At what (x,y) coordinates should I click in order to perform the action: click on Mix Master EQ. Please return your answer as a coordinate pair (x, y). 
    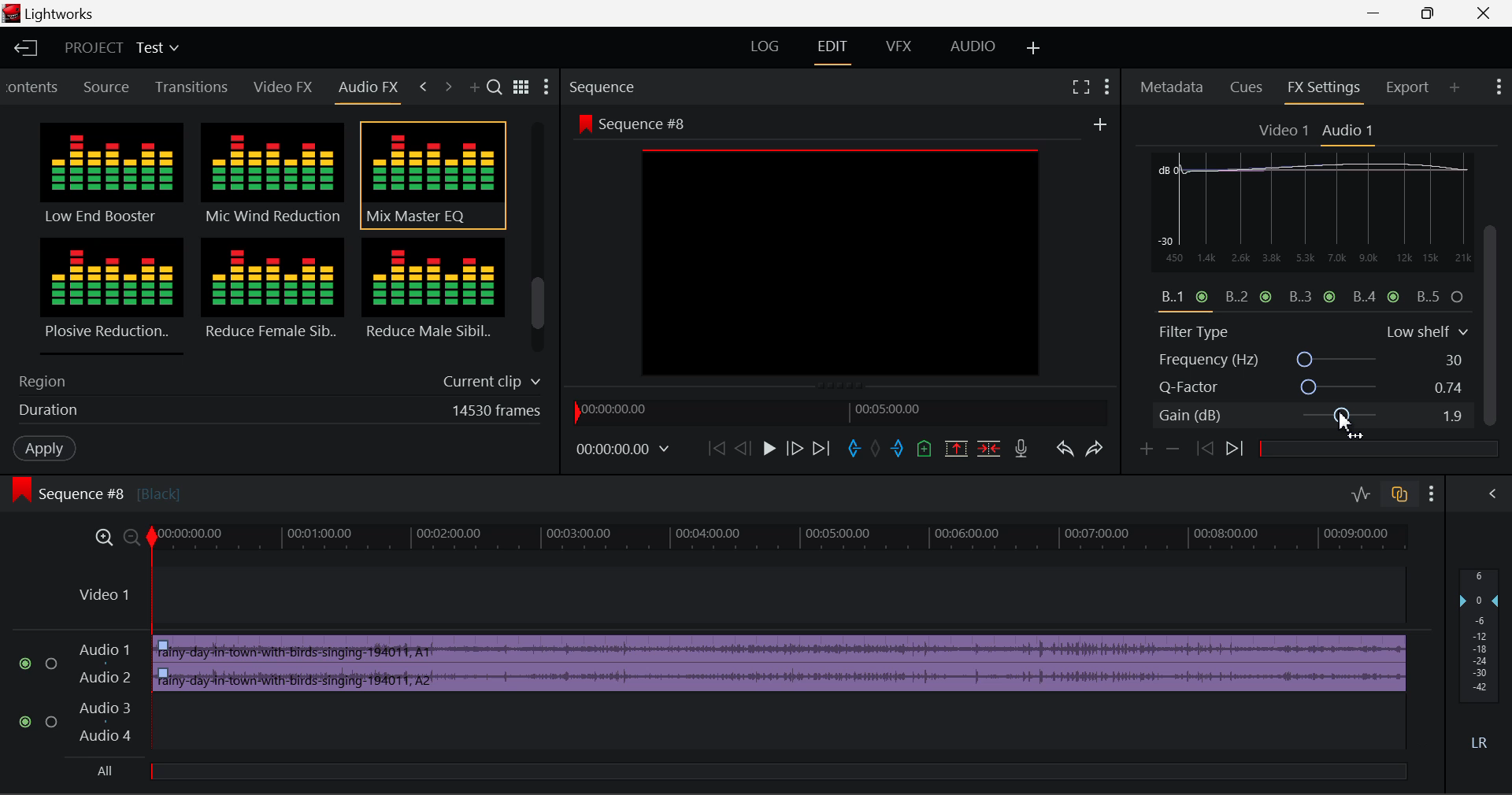
    Looking at the image, I should click on (430, 176).